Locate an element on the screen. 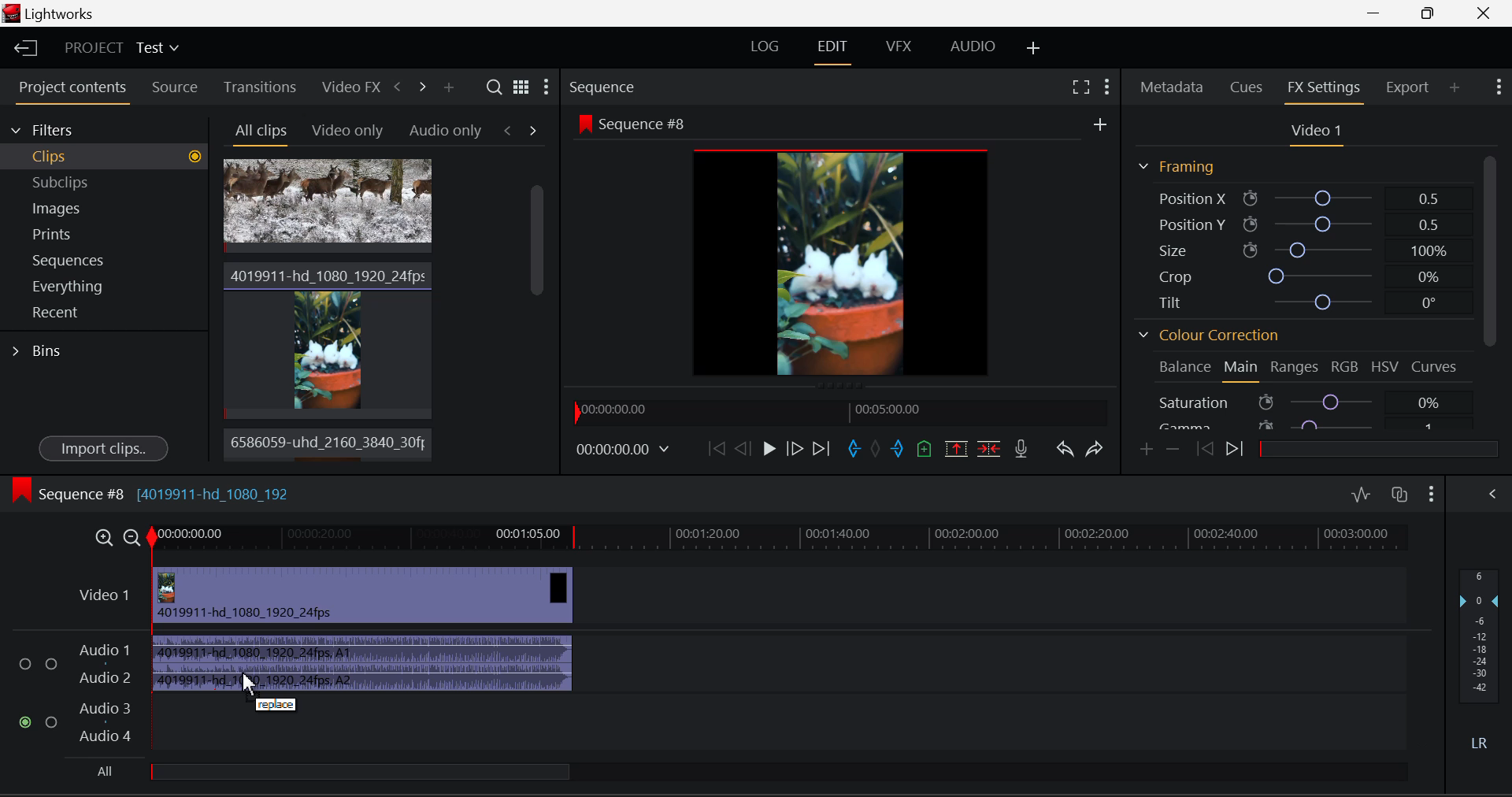 Image resolution: width=1512 pixels, height=797 pixels. Add Panel is located at coordinates (1455, 89).